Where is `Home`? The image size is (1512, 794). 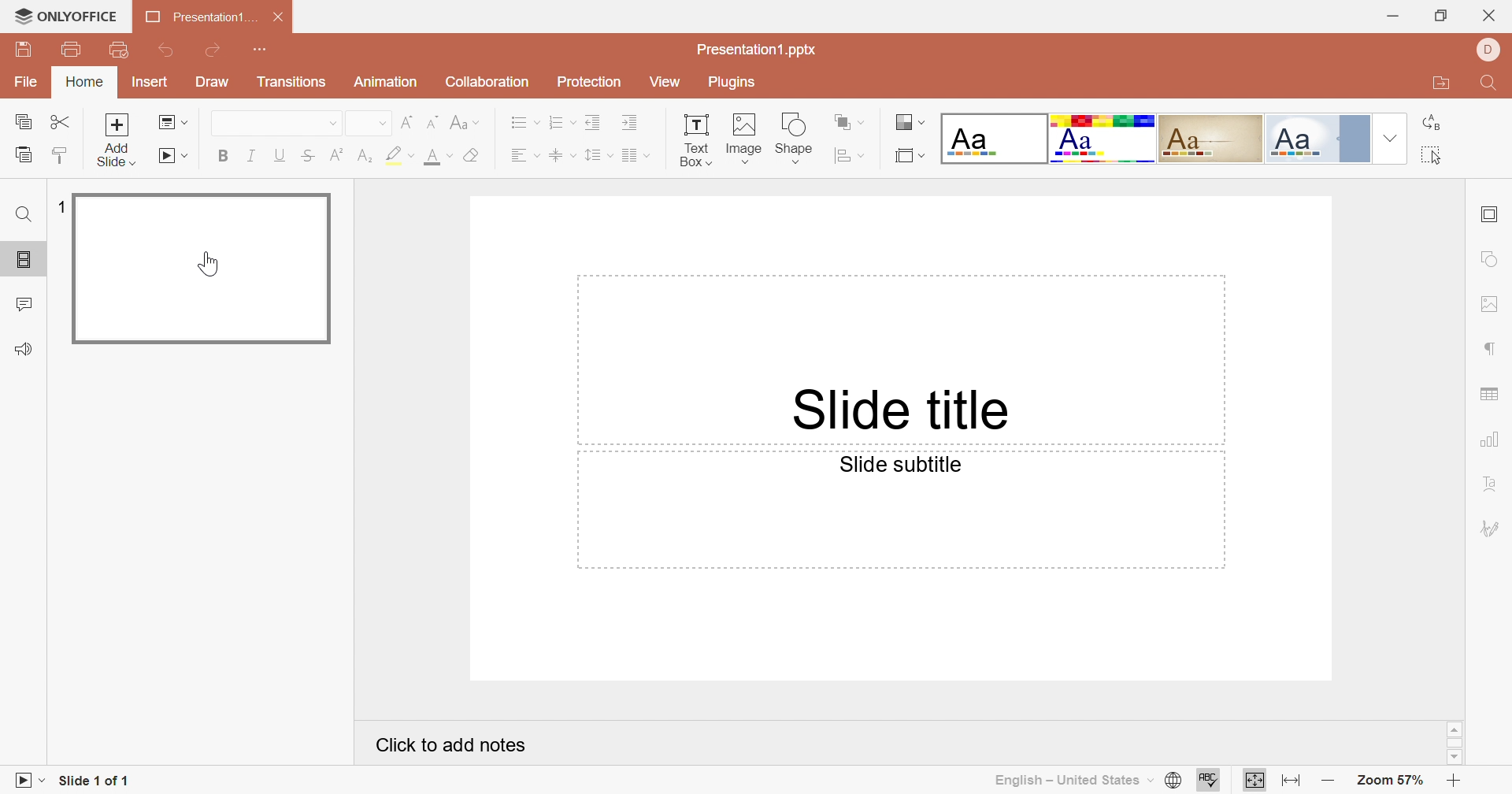
Home is located at coordinates (88, 82).